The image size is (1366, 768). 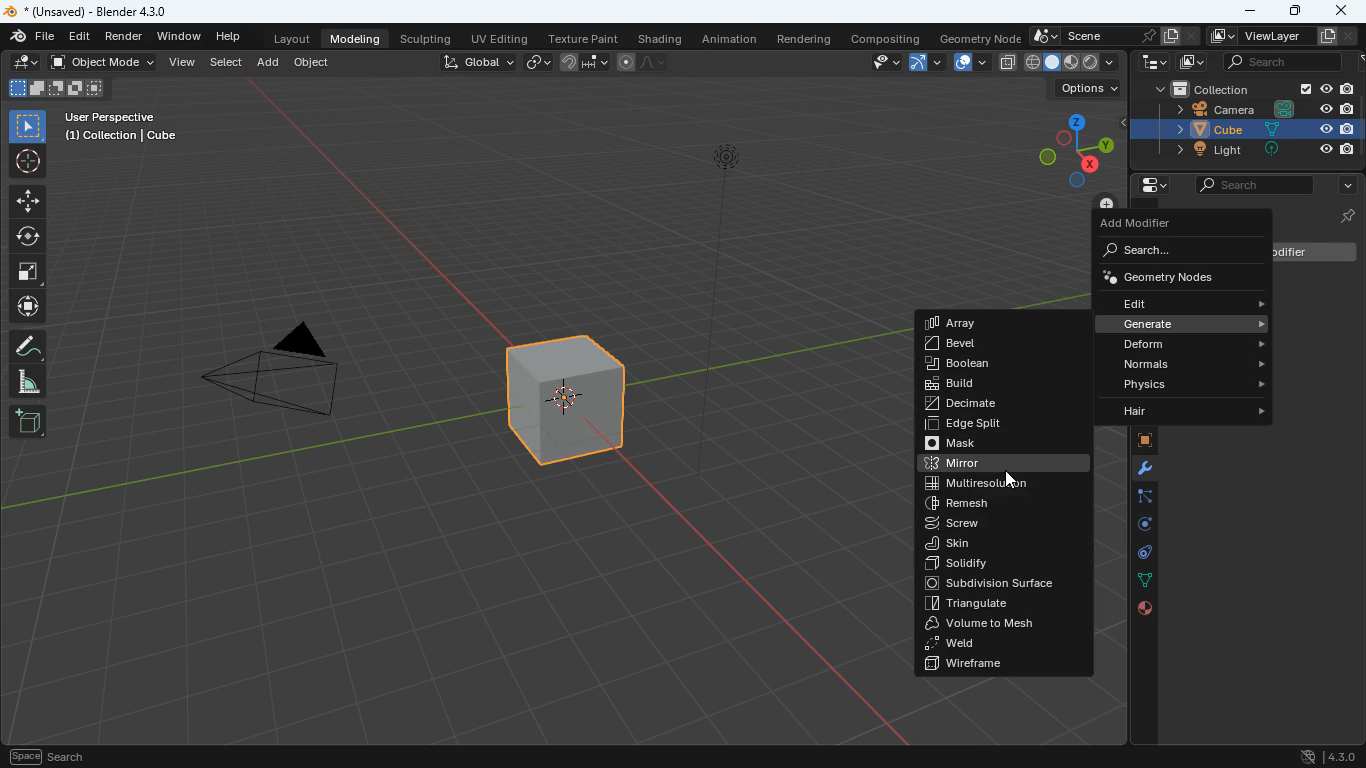 What do you see at coordinates (660, 39) in the screenshot?
I see `shading` at bounding box center [660, 39].